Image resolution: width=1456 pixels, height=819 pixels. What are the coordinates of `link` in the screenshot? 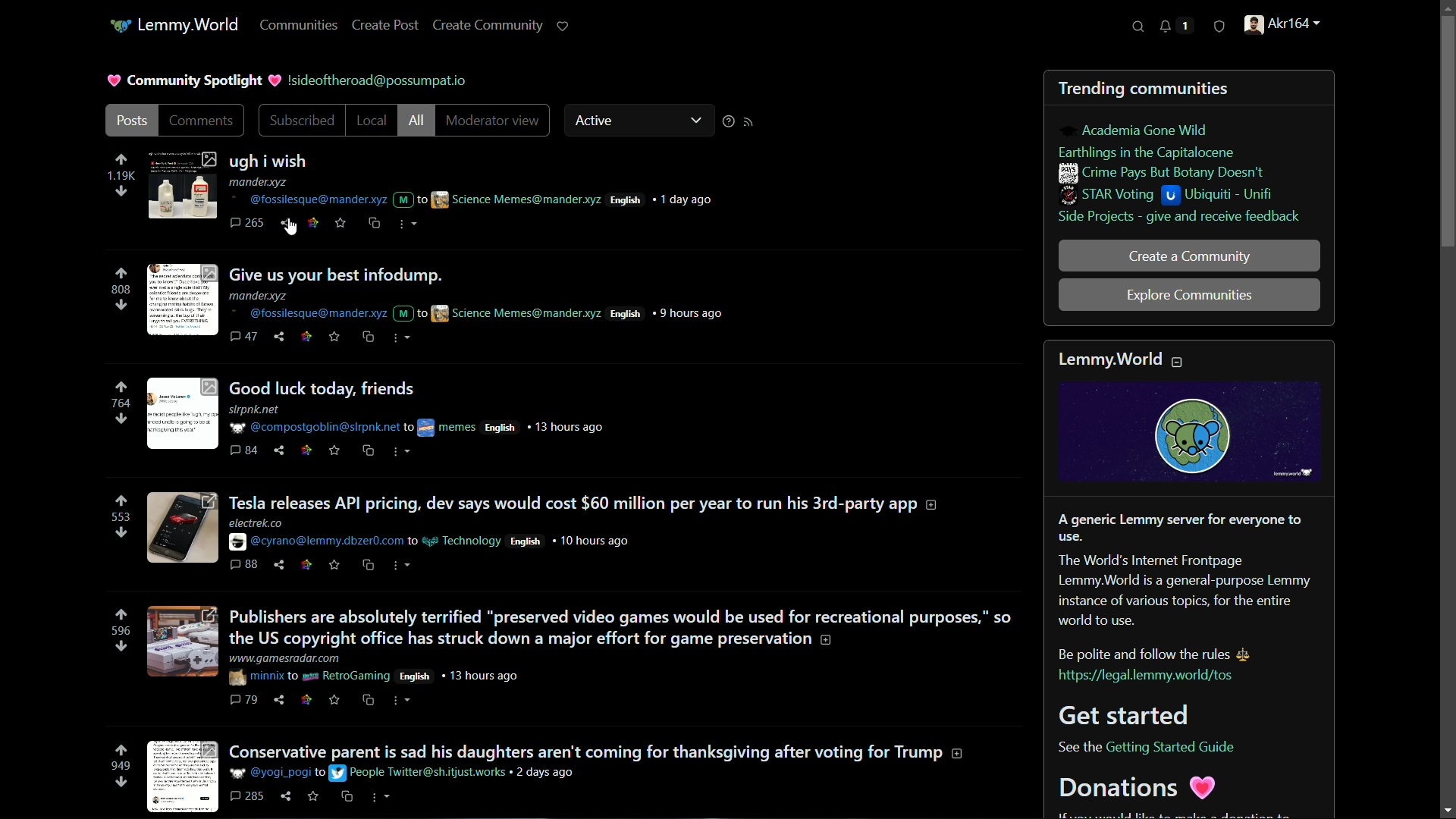 It's located at (314, 222).